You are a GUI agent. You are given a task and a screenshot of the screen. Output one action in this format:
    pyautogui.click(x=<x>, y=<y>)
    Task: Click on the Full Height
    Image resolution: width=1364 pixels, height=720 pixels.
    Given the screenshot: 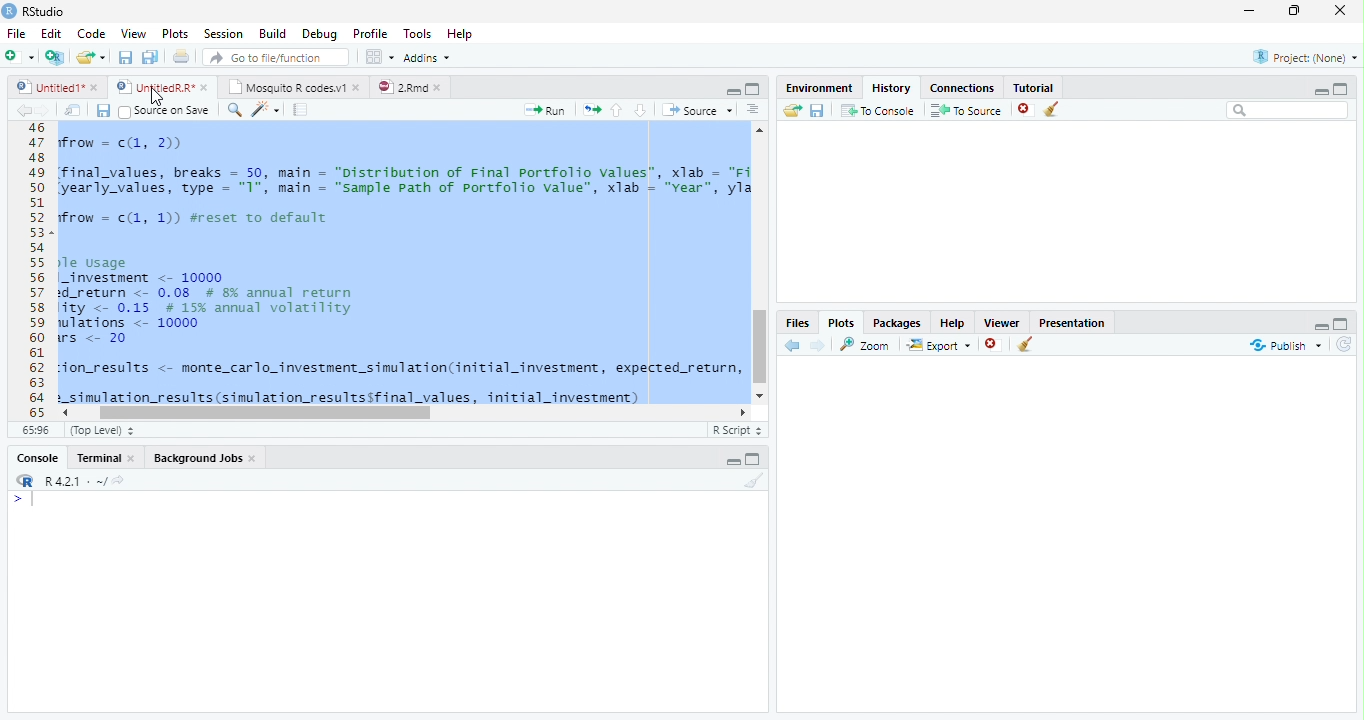 What is the action you would take?
    pyautogui.click(x=1342, y=87)
    